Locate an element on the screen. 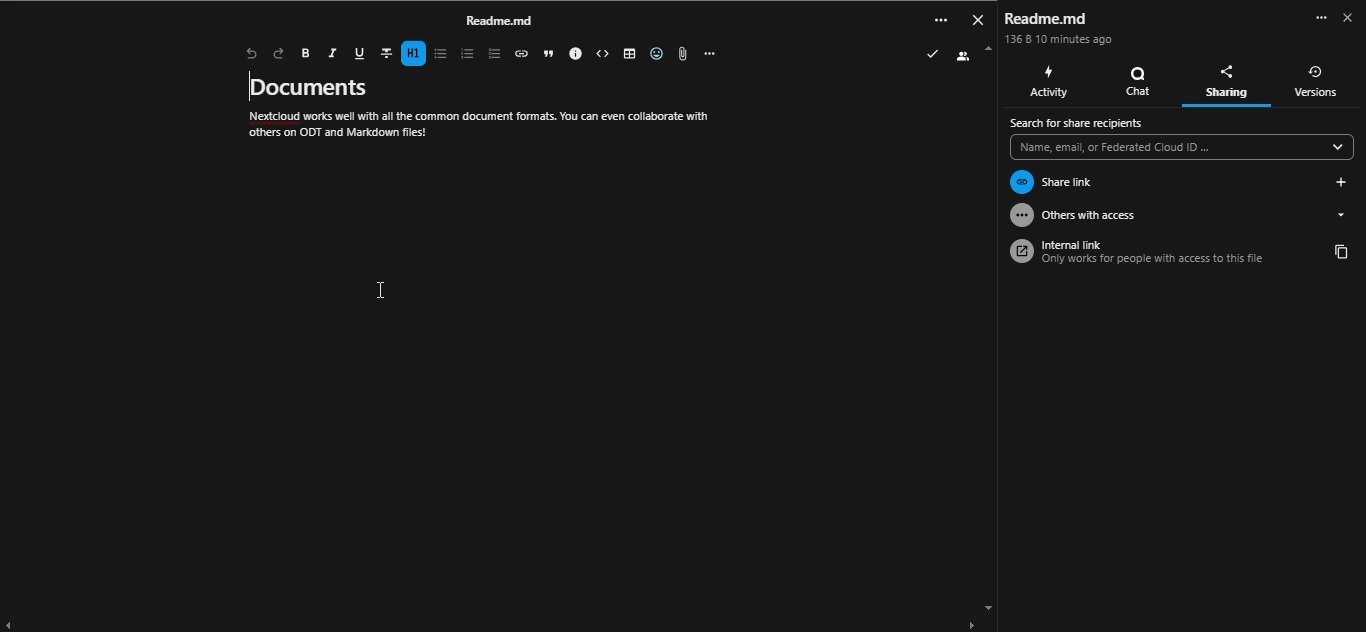  136 B 10 minutes ago is located at coordinates (1060, 39).